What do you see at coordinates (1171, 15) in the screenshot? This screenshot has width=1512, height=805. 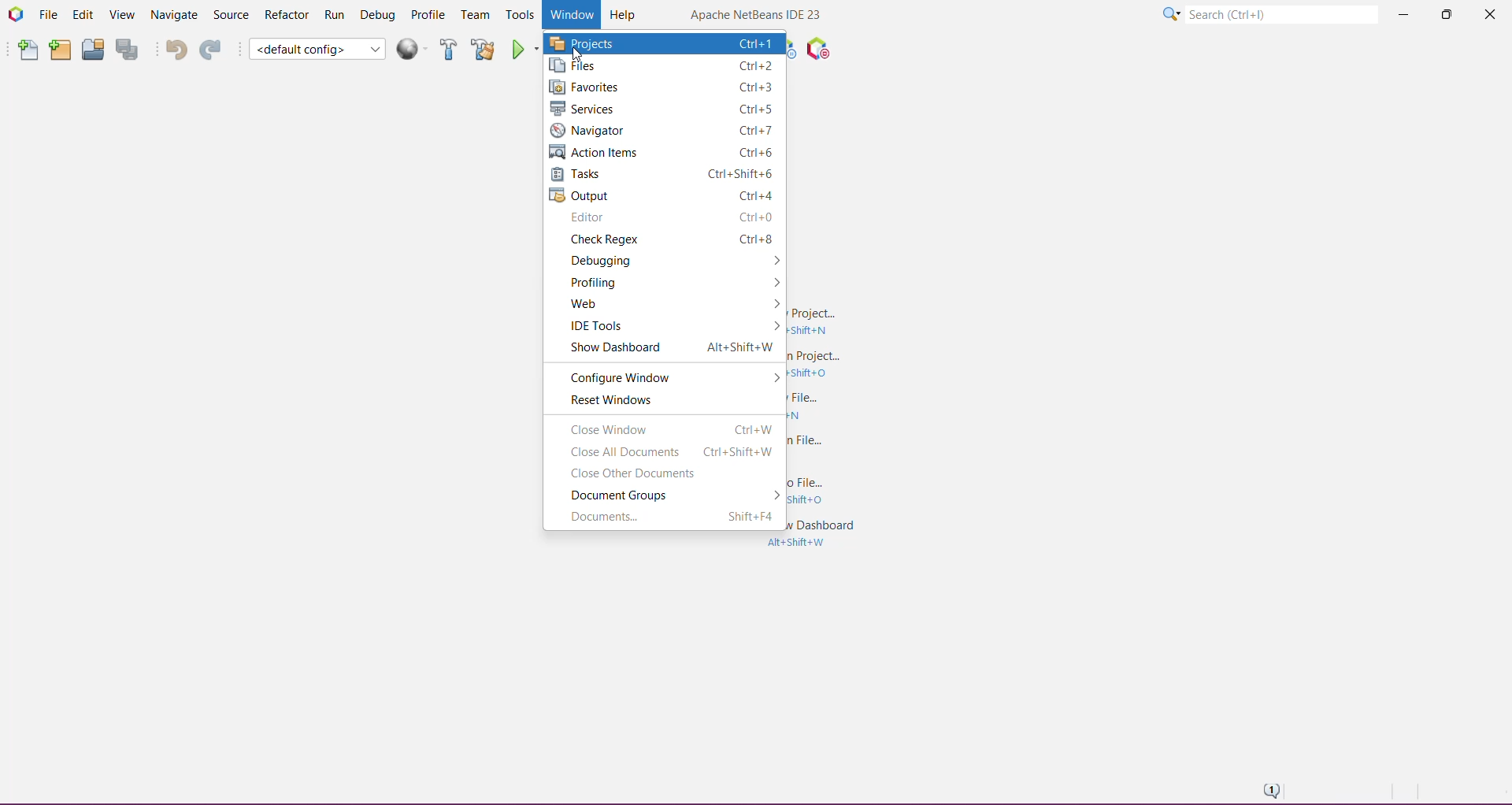 I see `Click or Press Ctrl+F10 for Category Selection` at bounding box center [1171, 15].